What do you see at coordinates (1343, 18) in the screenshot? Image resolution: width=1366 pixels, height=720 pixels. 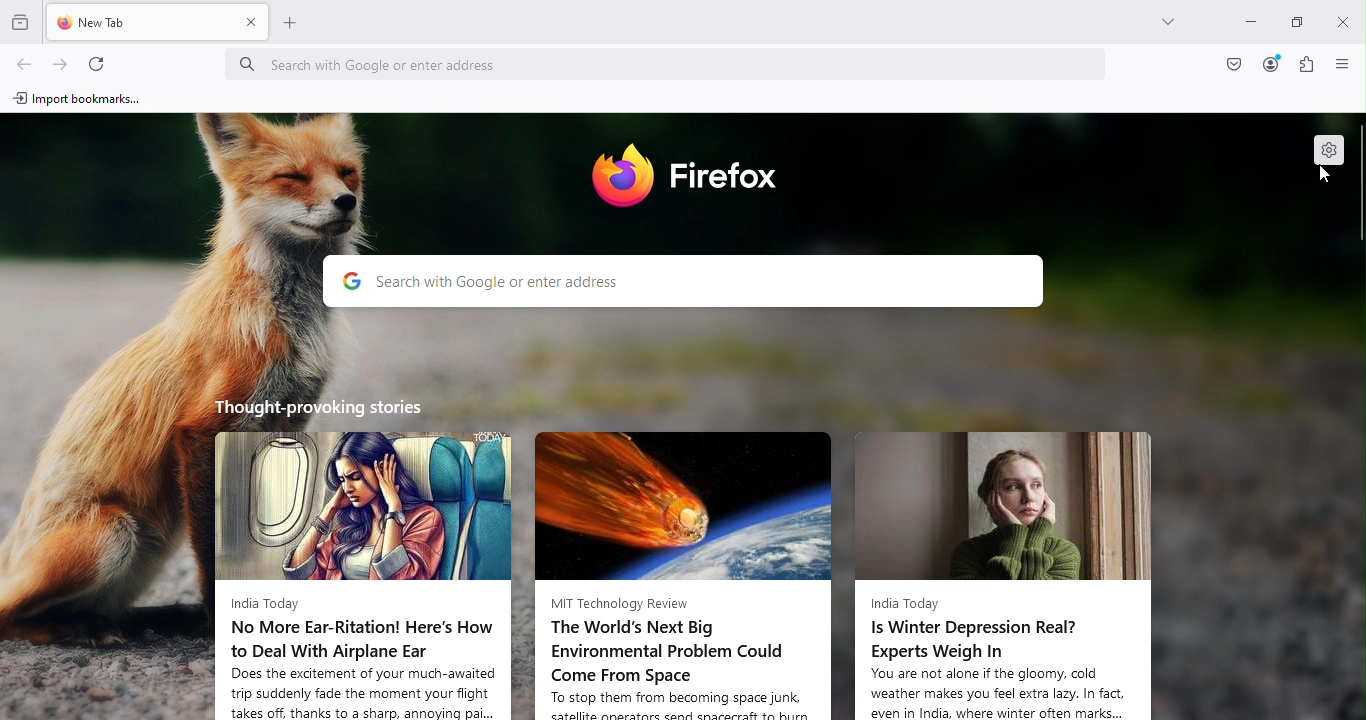 I see `Close` at bounding box center [1343, 18].